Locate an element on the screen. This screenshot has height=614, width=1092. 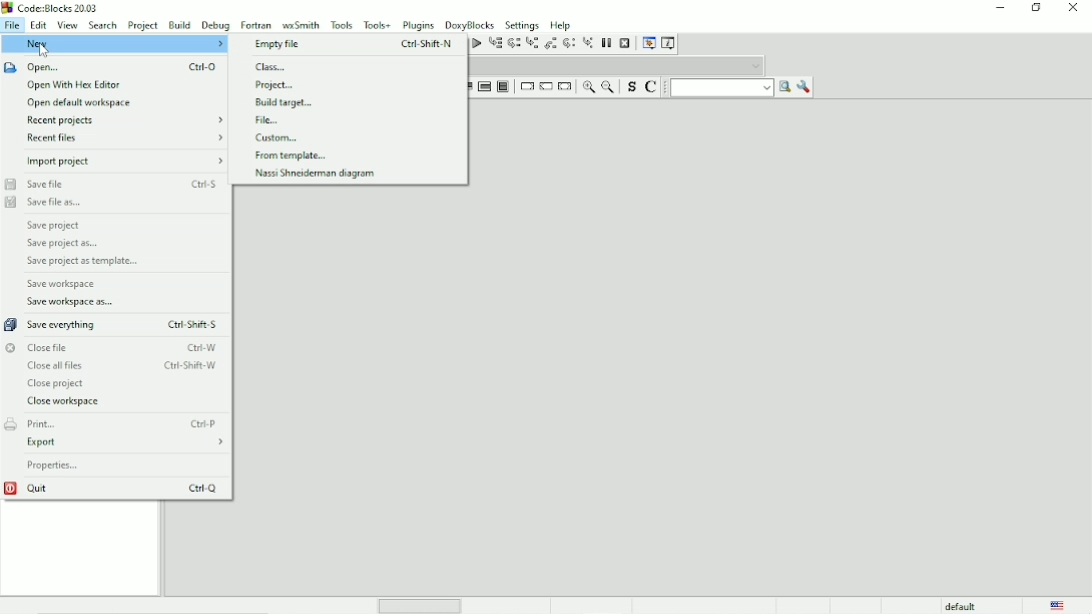
Build target is located at coordinates (289, 102).